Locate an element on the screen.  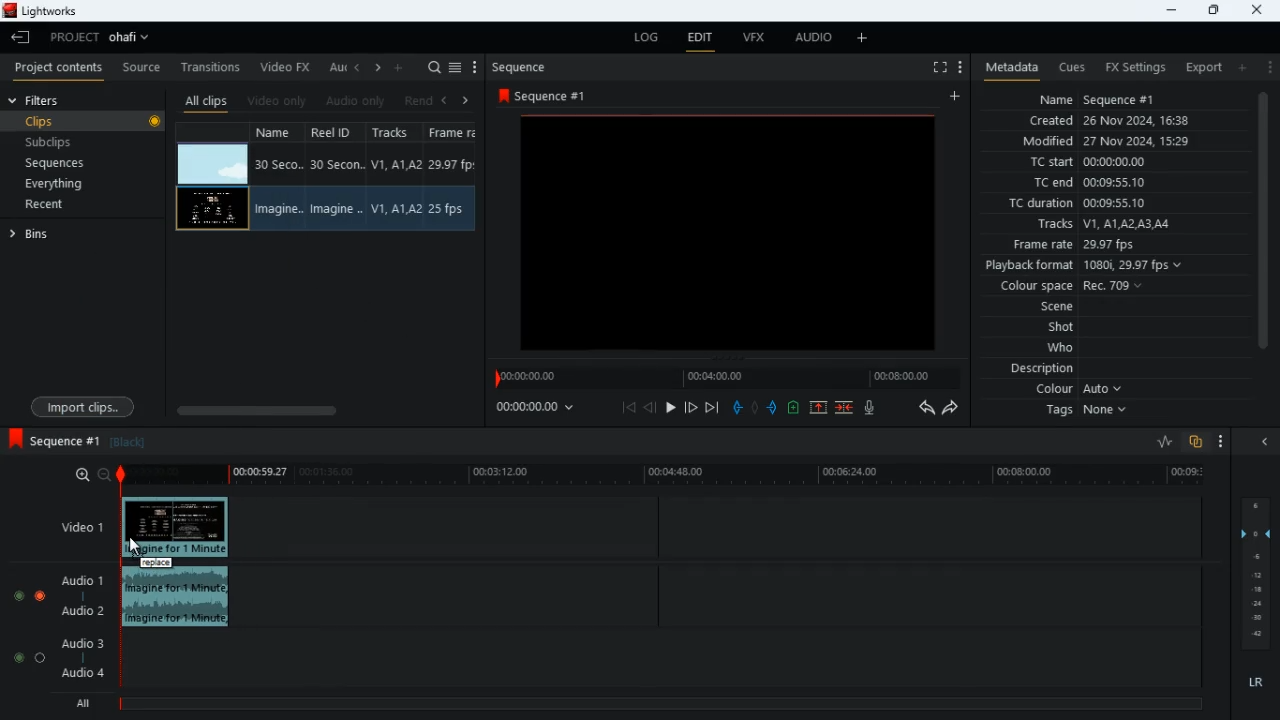
tc start is located at coordinates (1086, 163).